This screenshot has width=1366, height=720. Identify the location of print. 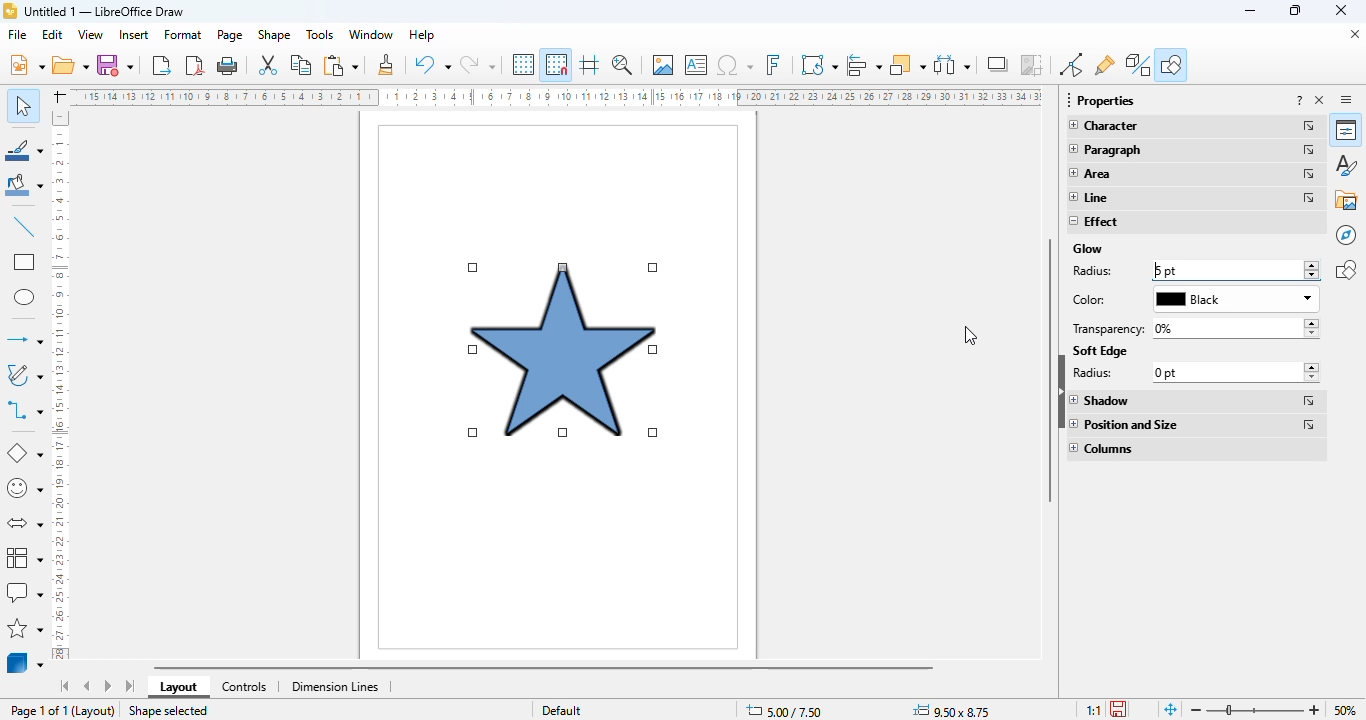
(228, 66).